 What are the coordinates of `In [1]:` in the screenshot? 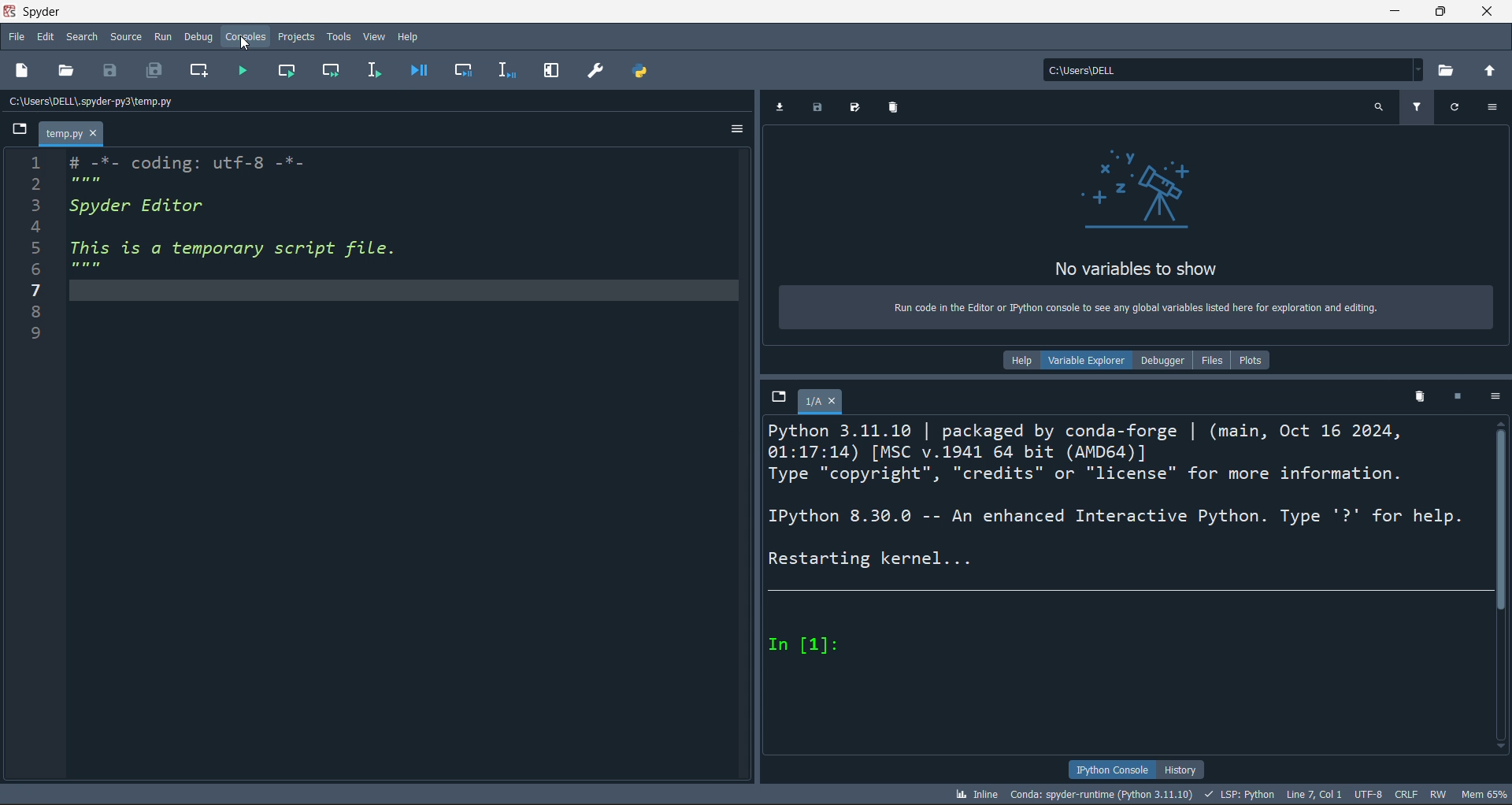 It's located at (809, 645).